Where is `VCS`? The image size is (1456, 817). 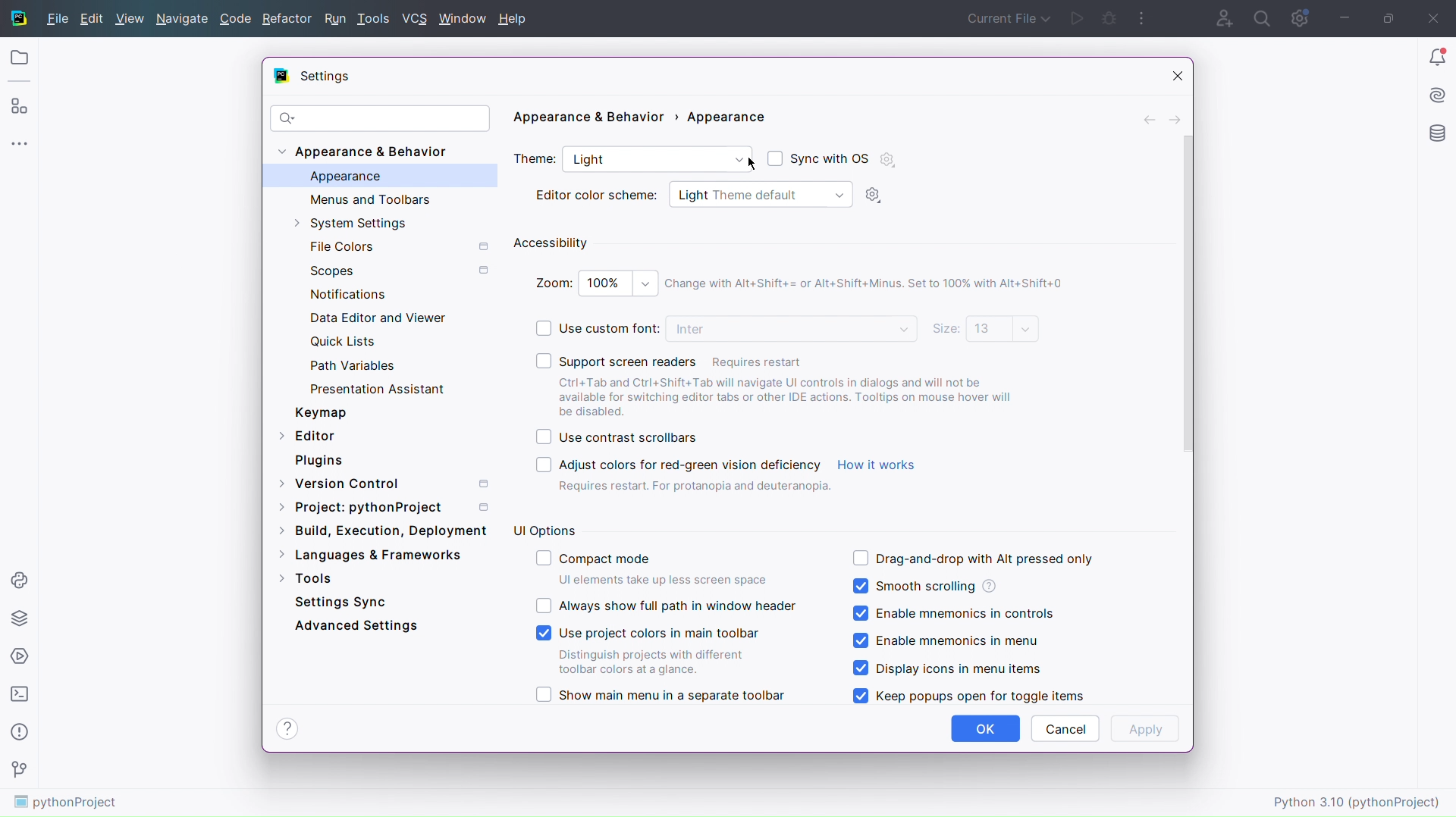 VCS is located at coordinates (417, 19).